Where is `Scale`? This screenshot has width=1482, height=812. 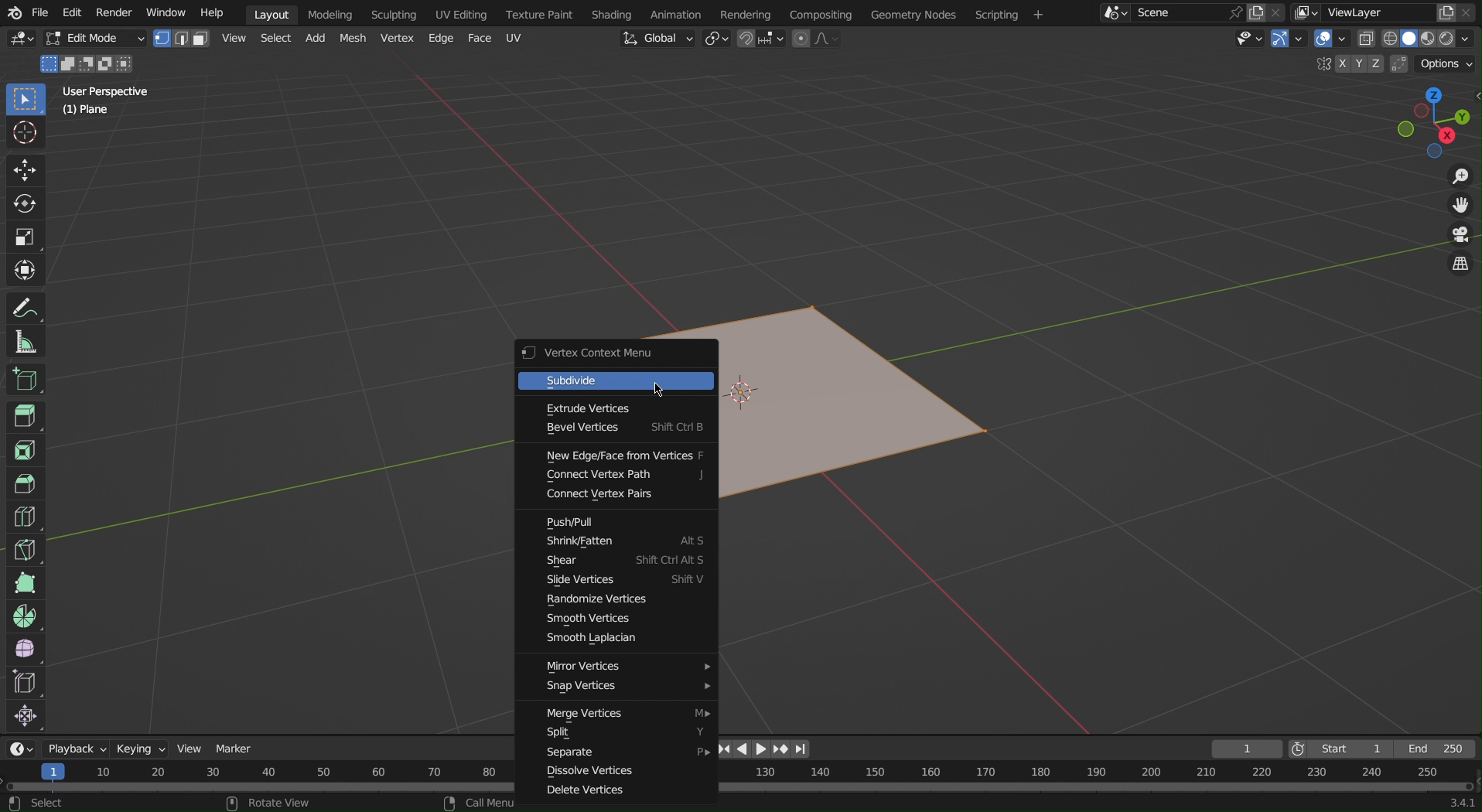 Scale is located at coordinates (27, 235).